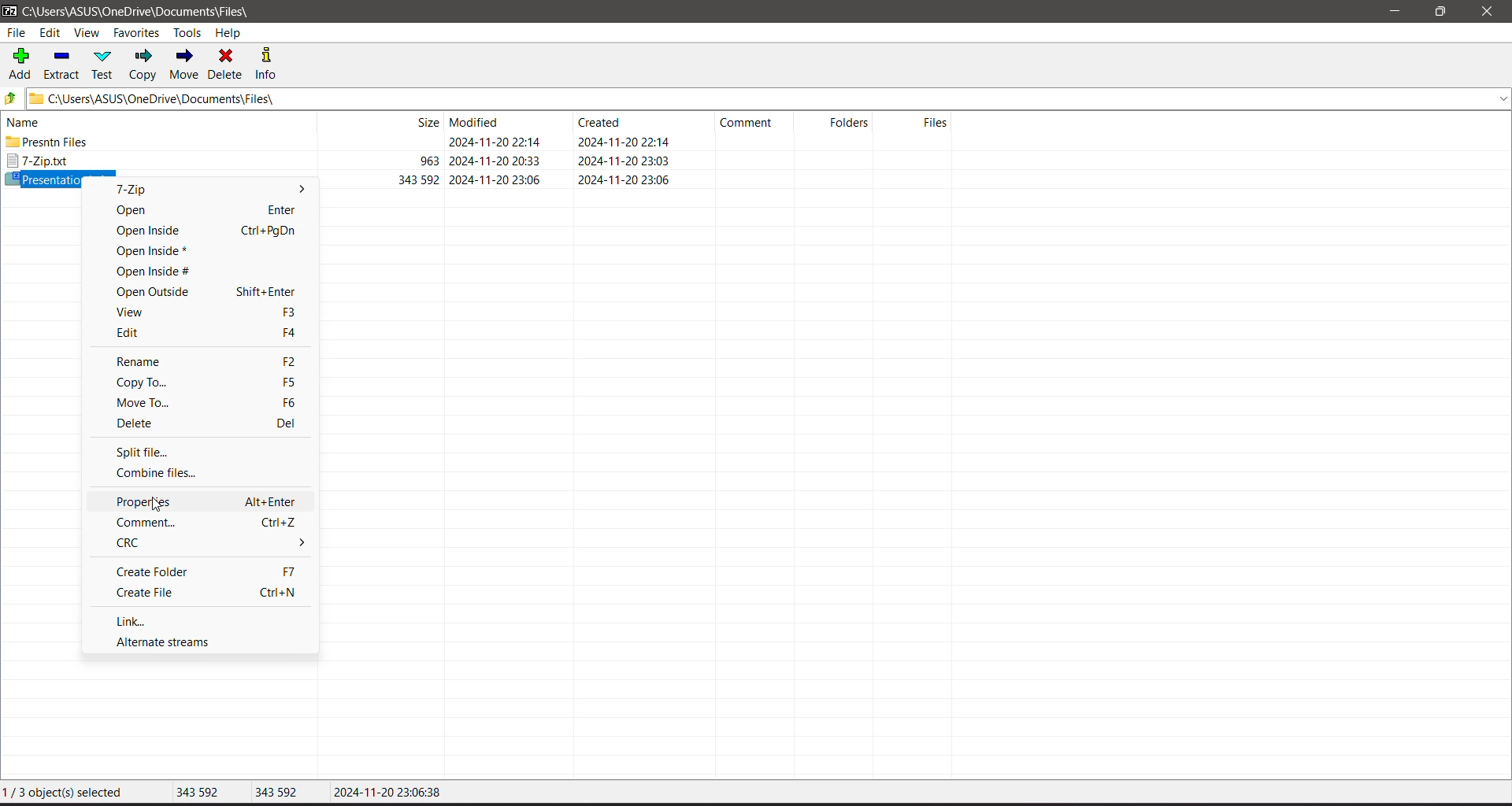  I want to click on Close, so click(1490, 12).